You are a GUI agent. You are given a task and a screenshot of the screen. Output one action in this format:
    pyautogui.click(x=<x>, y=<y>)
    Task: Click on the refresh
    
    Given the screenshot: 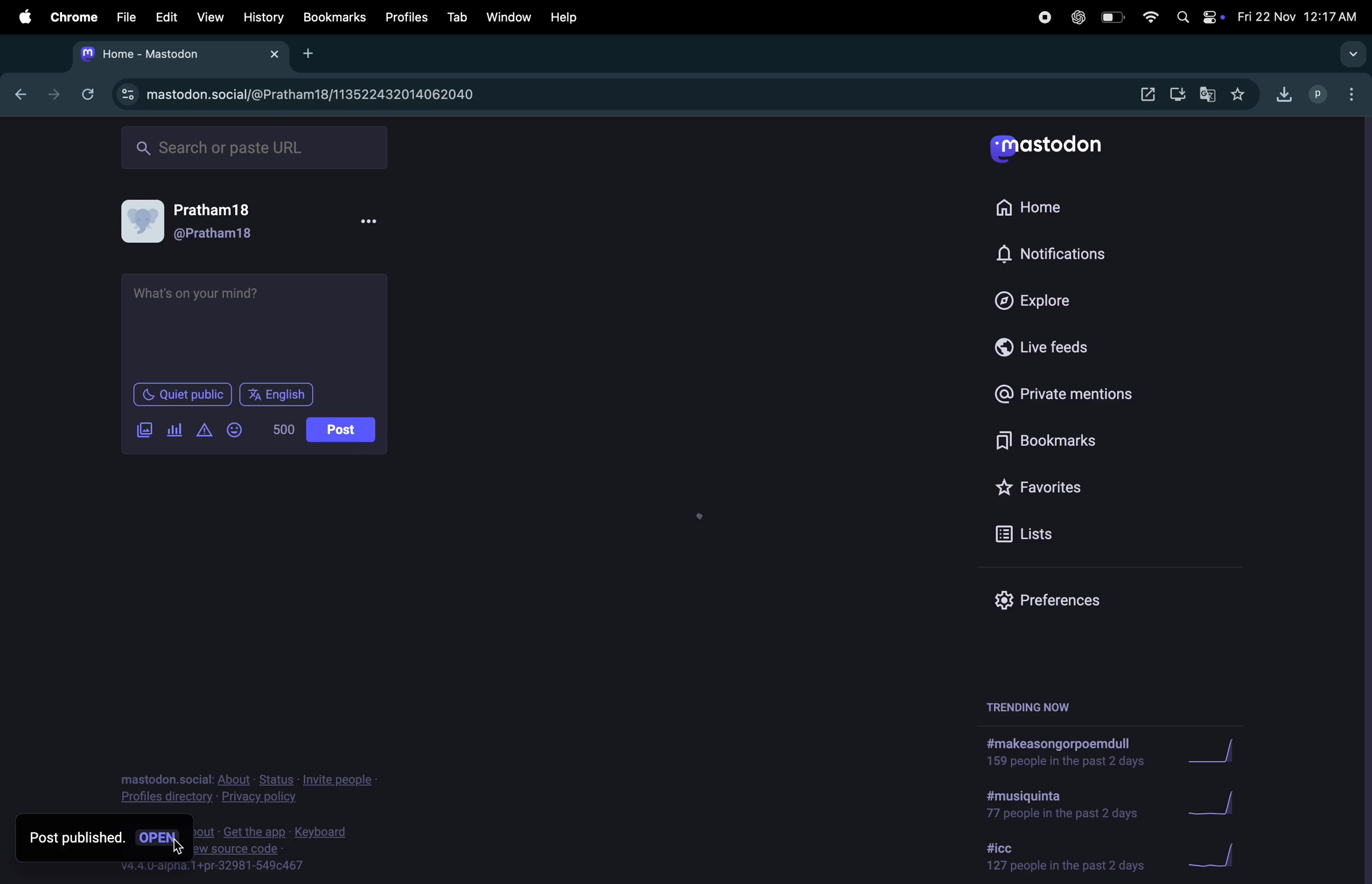 What is the action you would take?
    pyautogui.click(x=87, y=92)
    